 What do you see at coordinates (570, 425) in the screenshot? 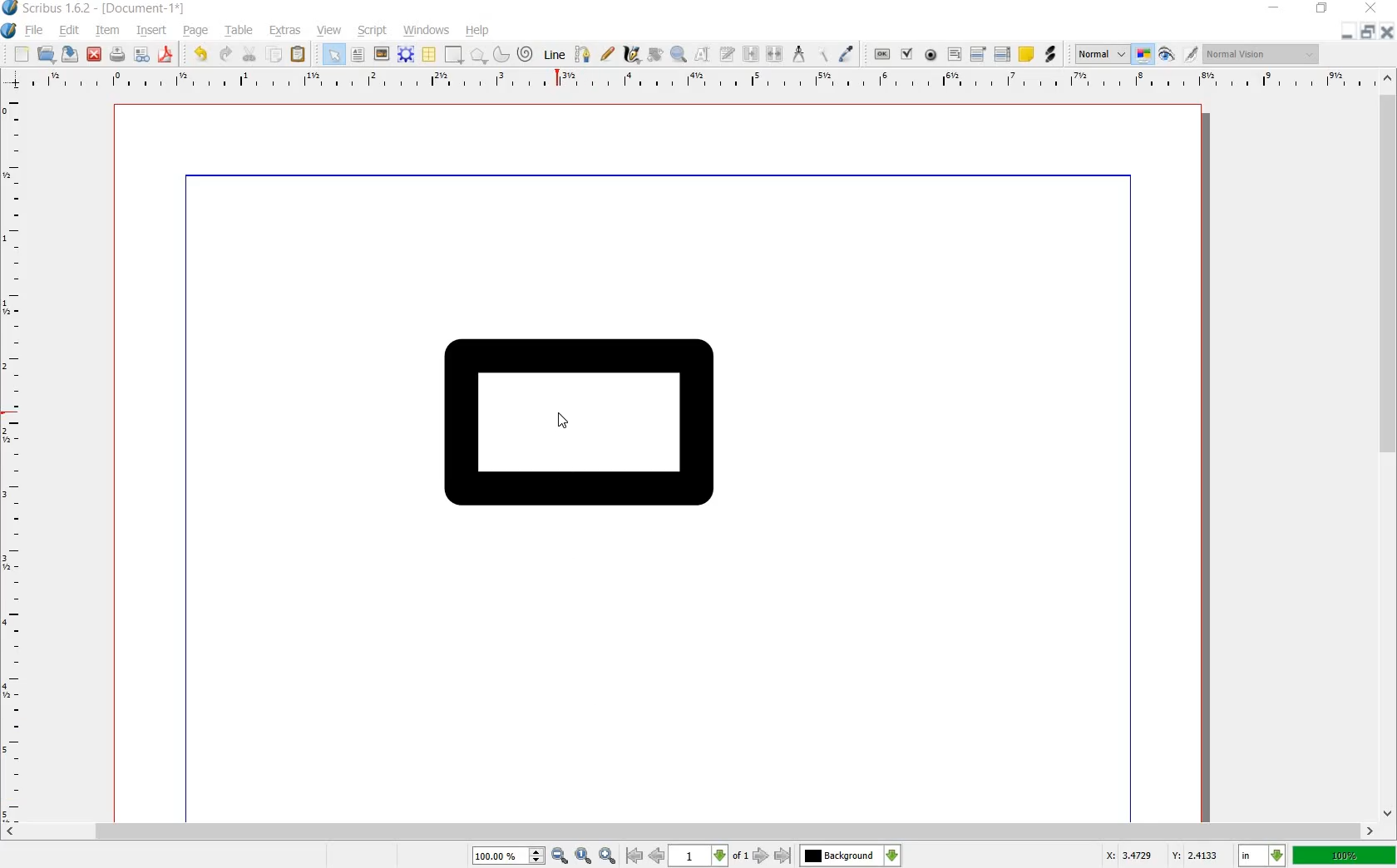
I see `Pointer` at bounding box center [570, 425].